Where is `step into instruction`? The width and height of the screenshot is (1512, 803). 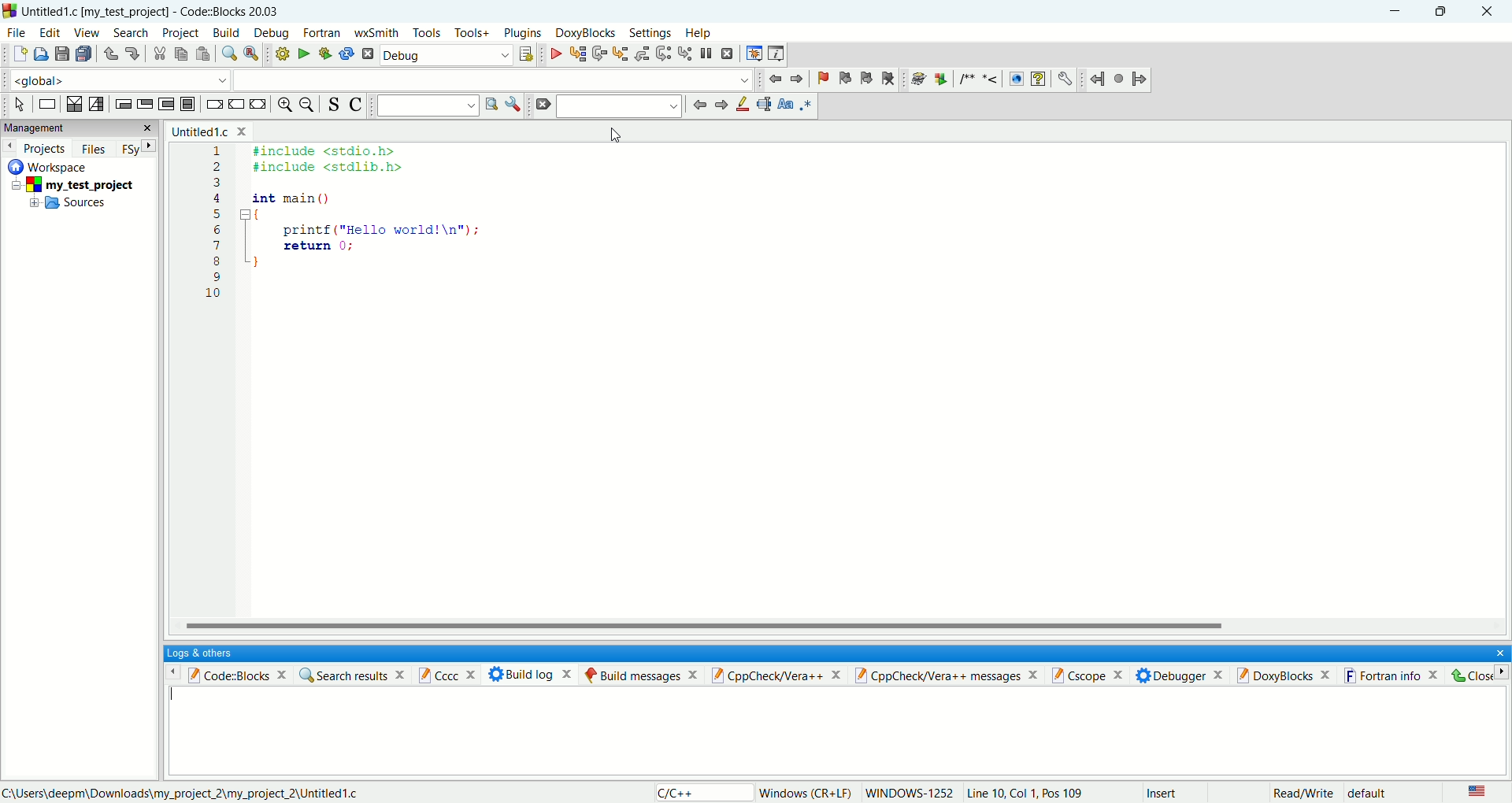 step into instruction is located at coordinates (685, 54).